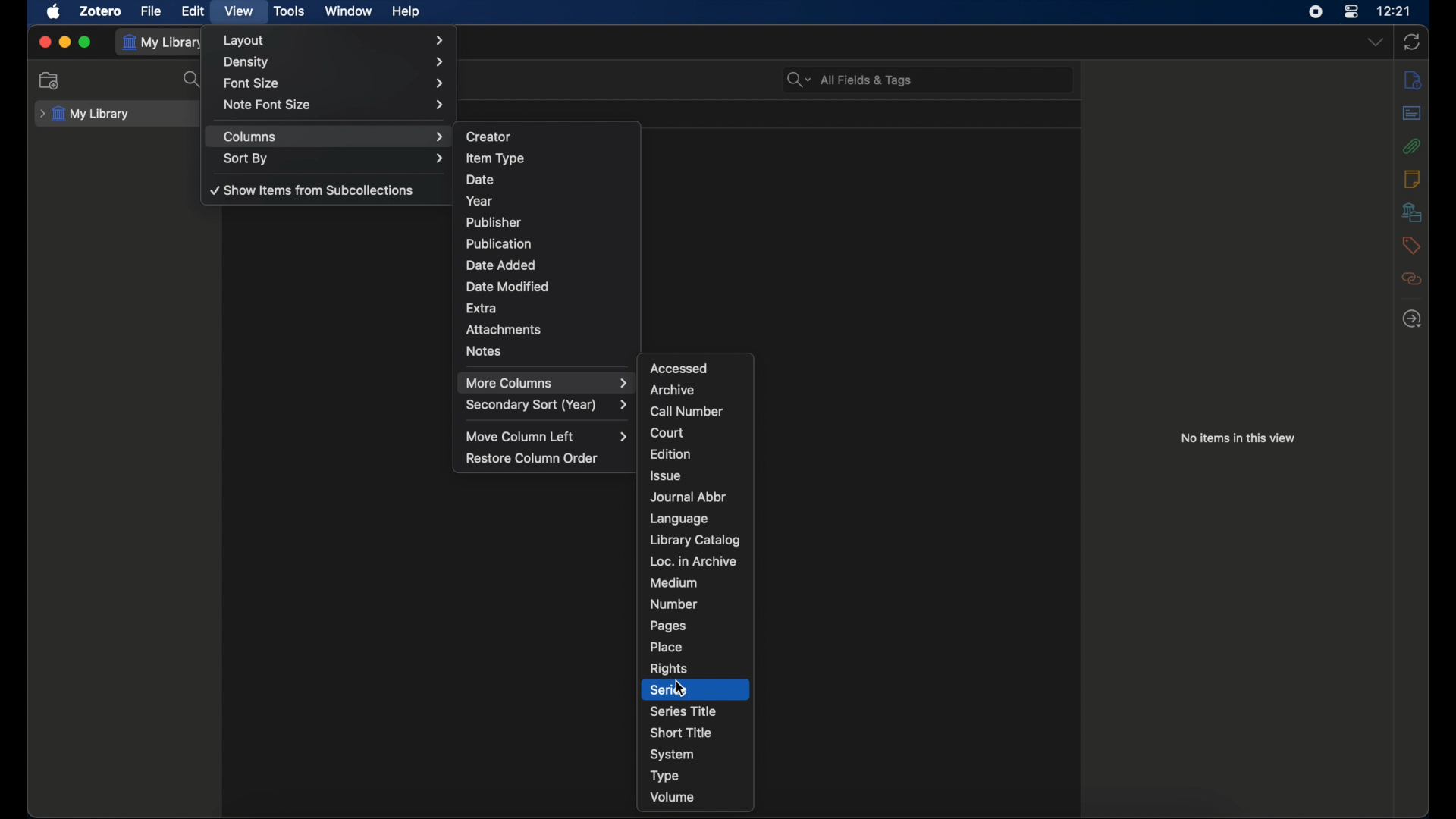 The width and height of the screenshot is (1456, 819). I want to click on minimize, so click(65, 42).